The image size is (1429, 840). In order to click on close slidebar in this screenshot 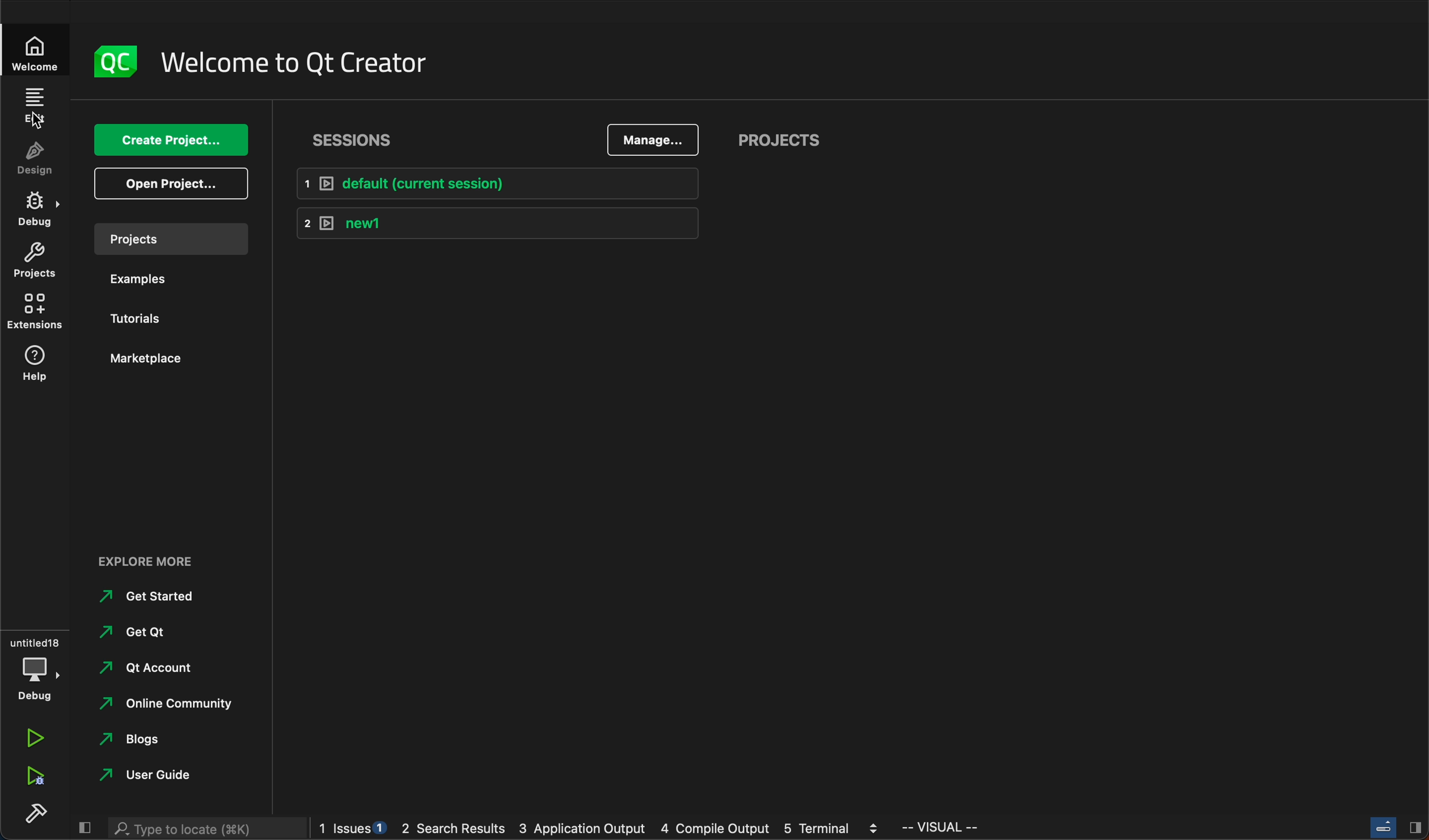, I will do `click(1388, 827)`.